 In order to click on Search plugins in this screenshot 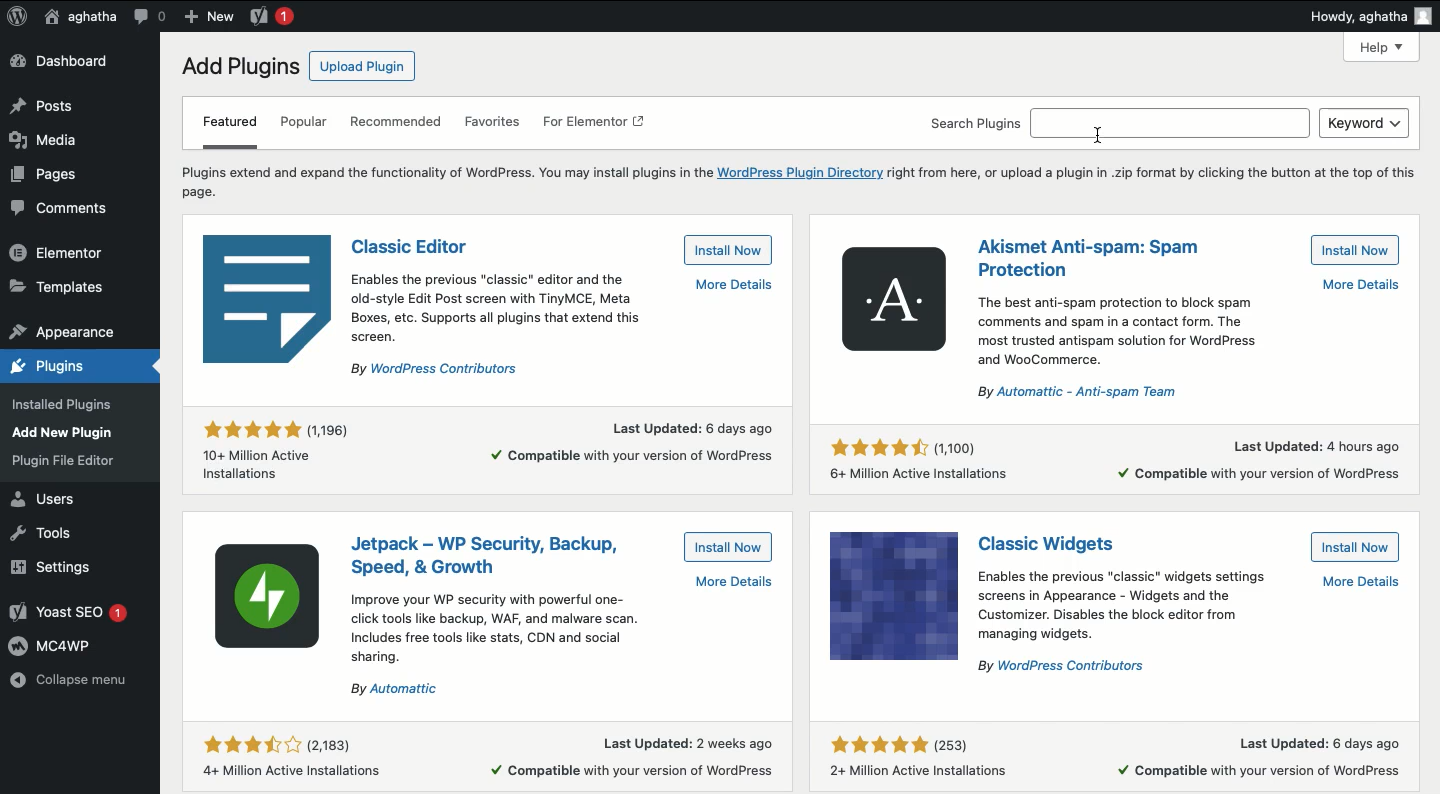, I will do `click(1117, 122)`.